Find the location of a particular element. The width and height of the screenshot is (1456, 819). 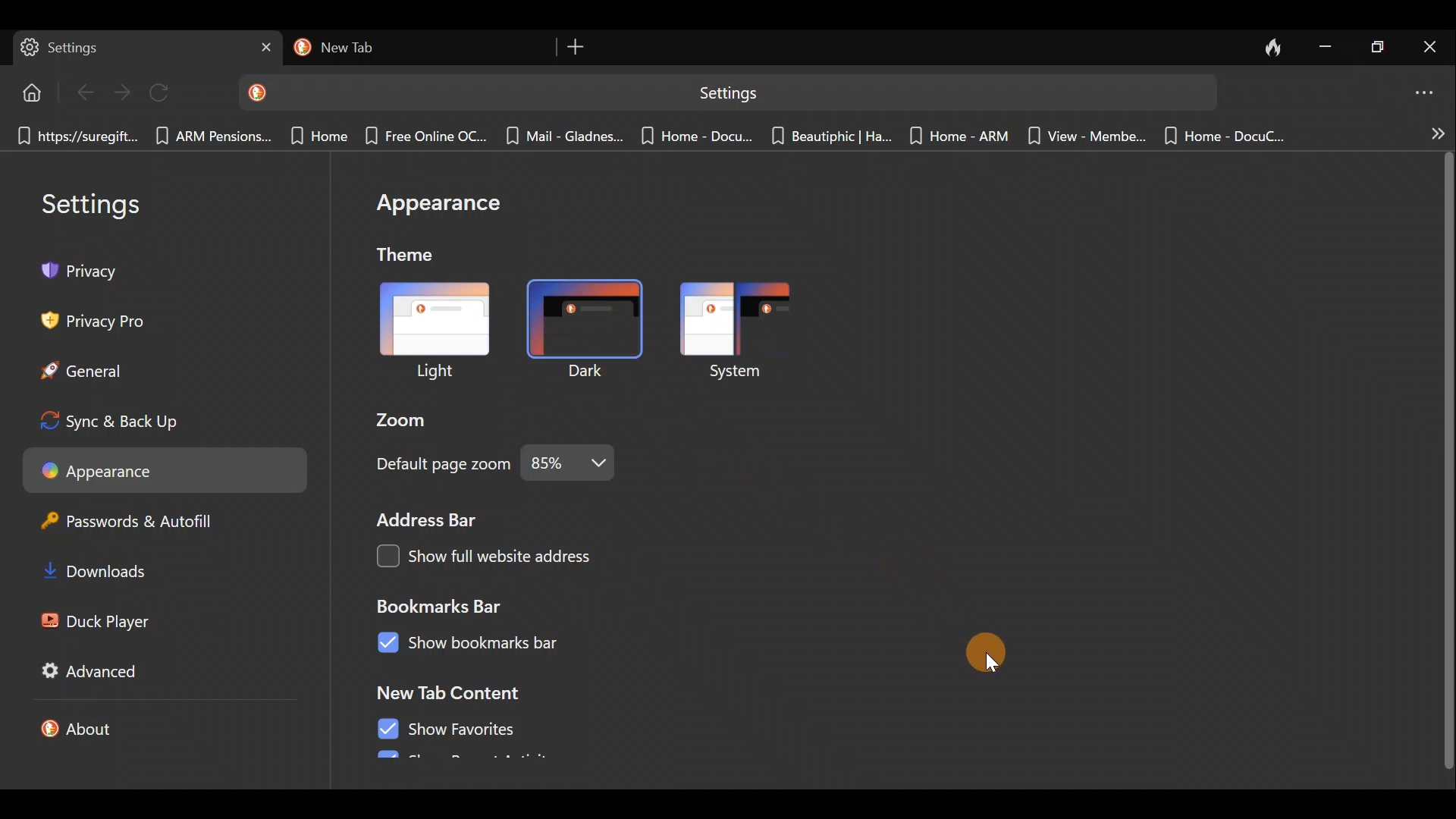

Duck player is located at coordinates (96, 622).